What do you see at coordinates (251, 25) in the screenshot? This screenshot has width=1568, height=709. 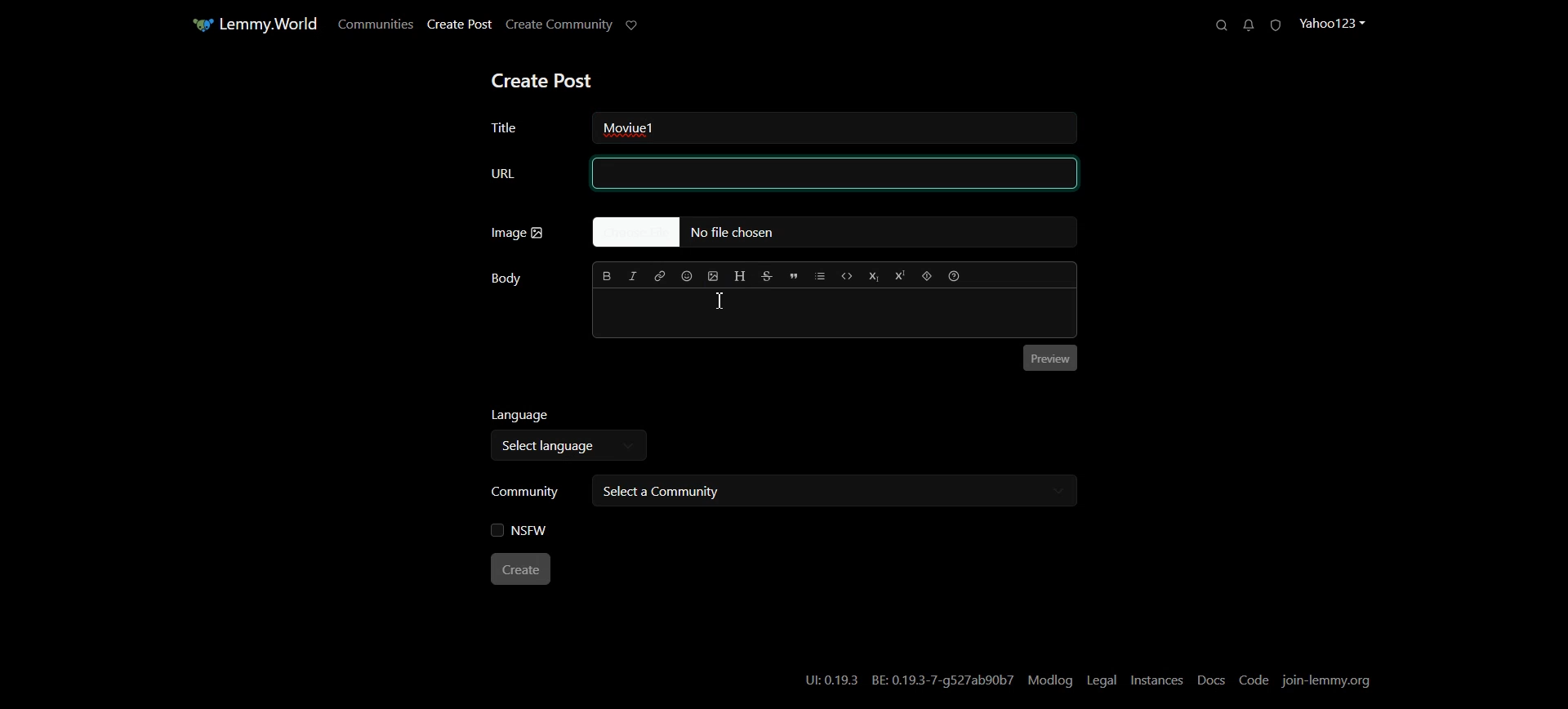 I see `Home Page` at bounding box center [251, 25].